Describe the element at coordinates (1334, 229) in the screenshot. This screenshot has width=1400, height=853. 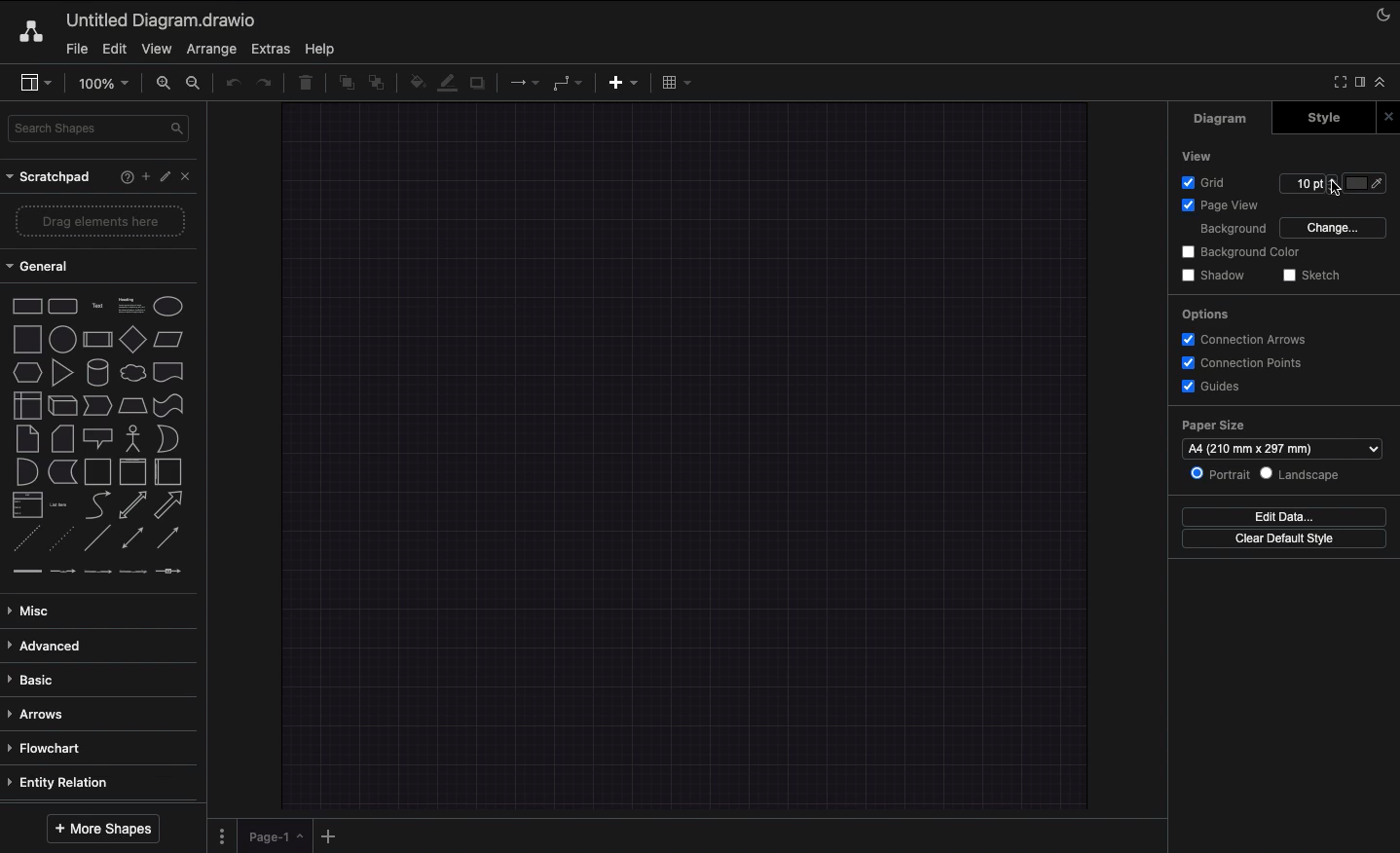
I see `Change` at that location.